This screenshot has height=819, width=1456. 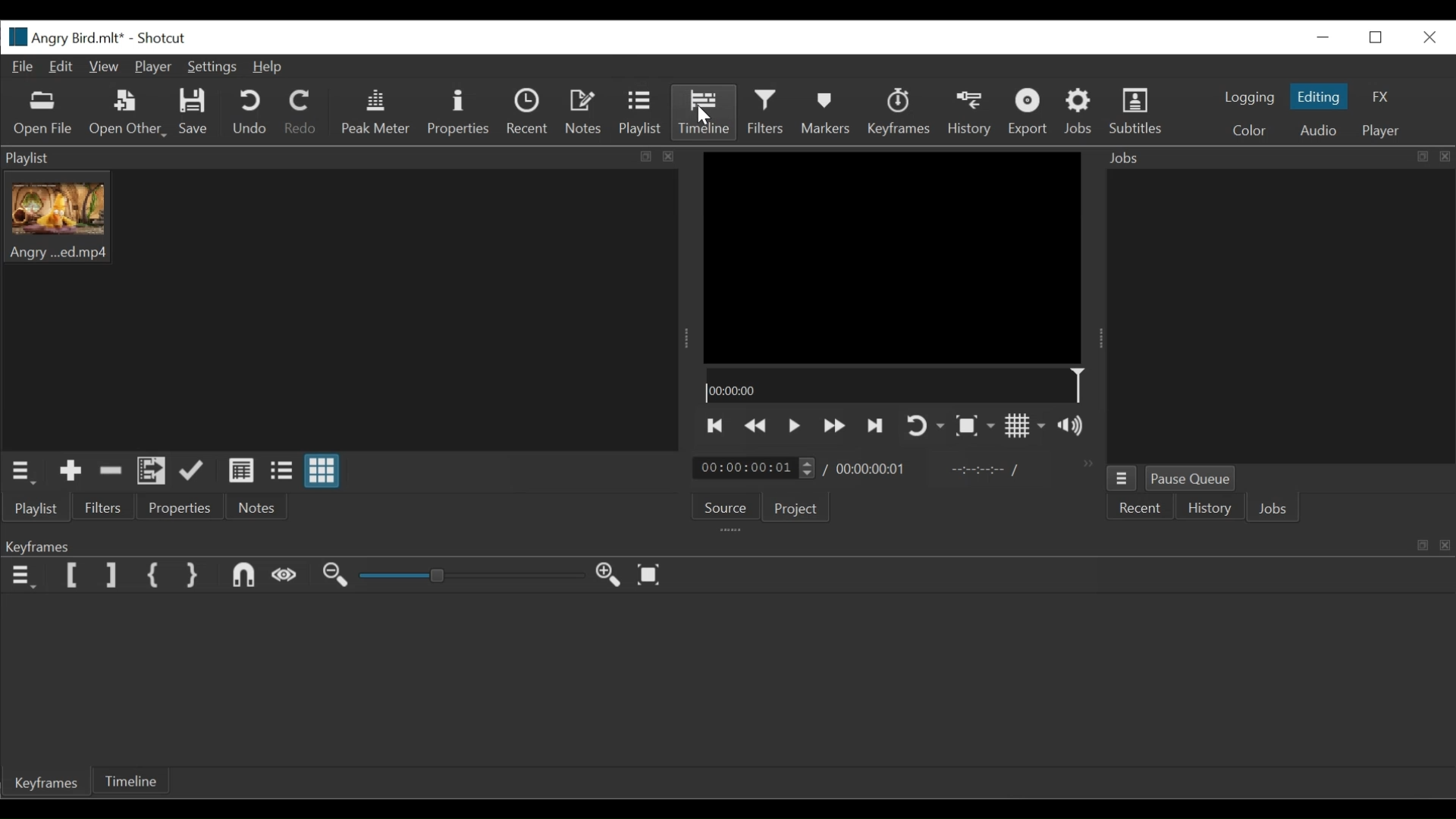 What do you see at coordinates (1381, 96) in the screenshot?
I see `FX` at bounding box center [1381, 96].